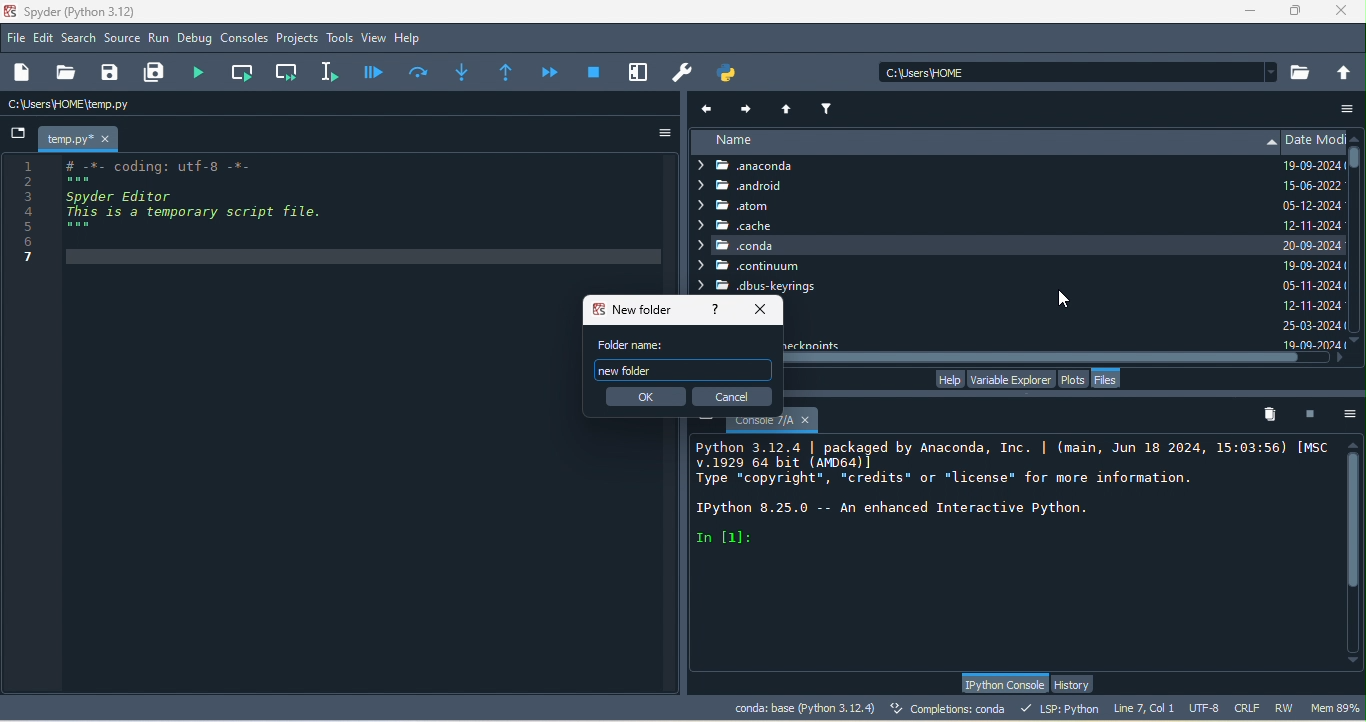 Image resolution: width=1366 pixels, height=722 pixels. What do you see at coordinates (80, 139) in the screenshot?
I see `temp` at bounding box center [80, 139].